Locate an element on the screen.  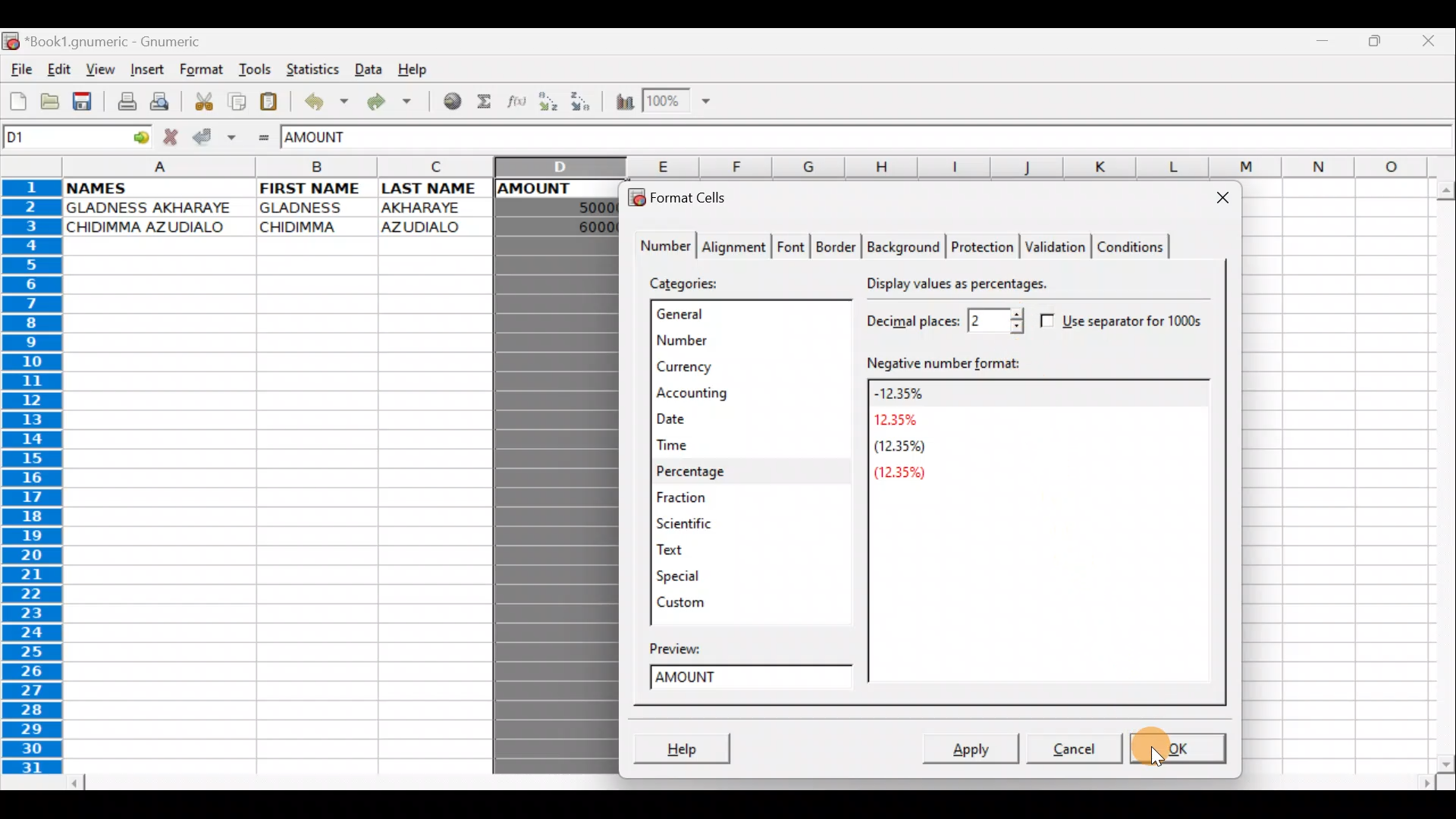
OK is located at coordinates (1178, 749).